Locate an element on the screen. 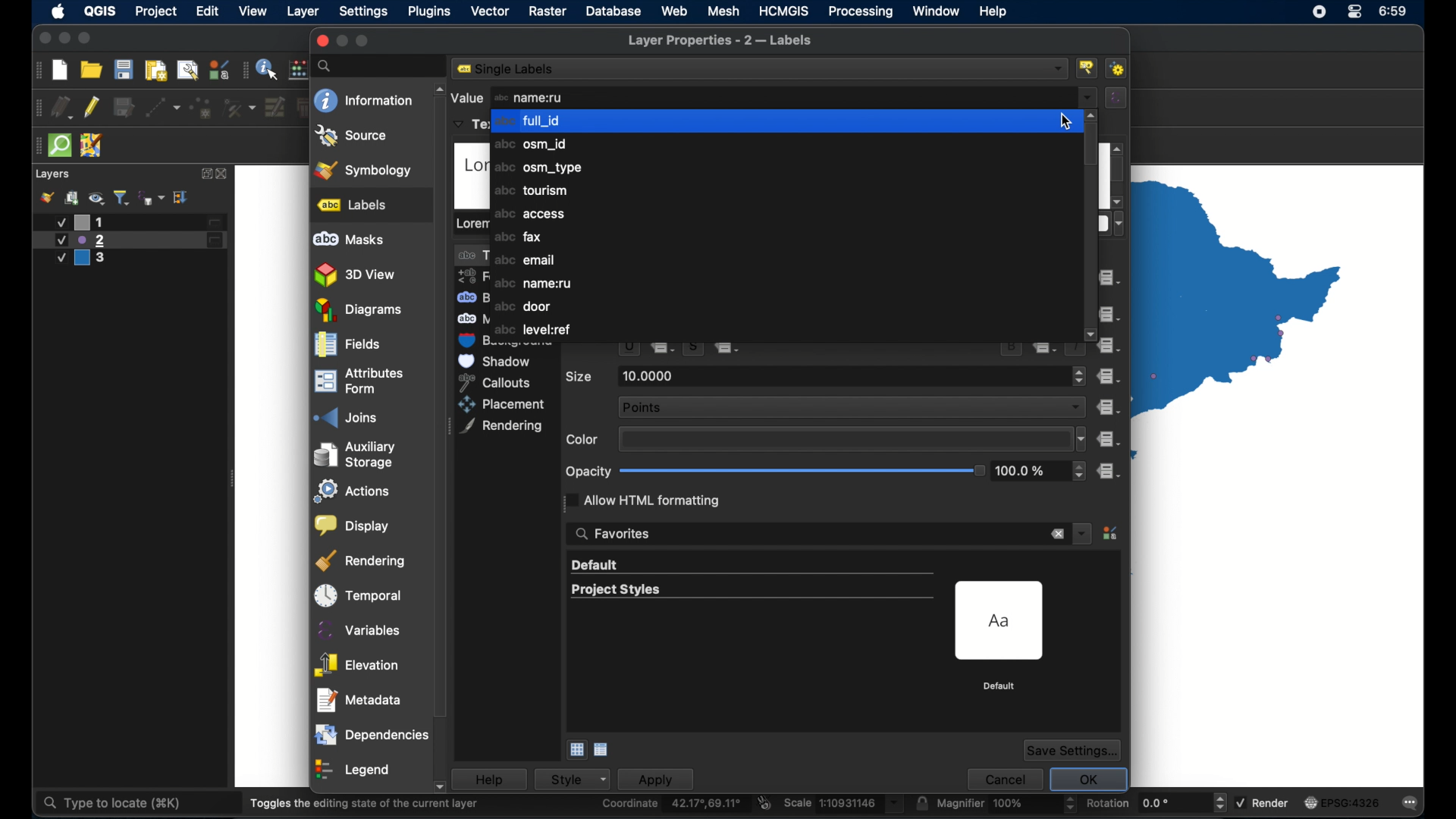 The width and height of the screenshot is (1456, 819). lock scale is located at coordinates (921, 803).